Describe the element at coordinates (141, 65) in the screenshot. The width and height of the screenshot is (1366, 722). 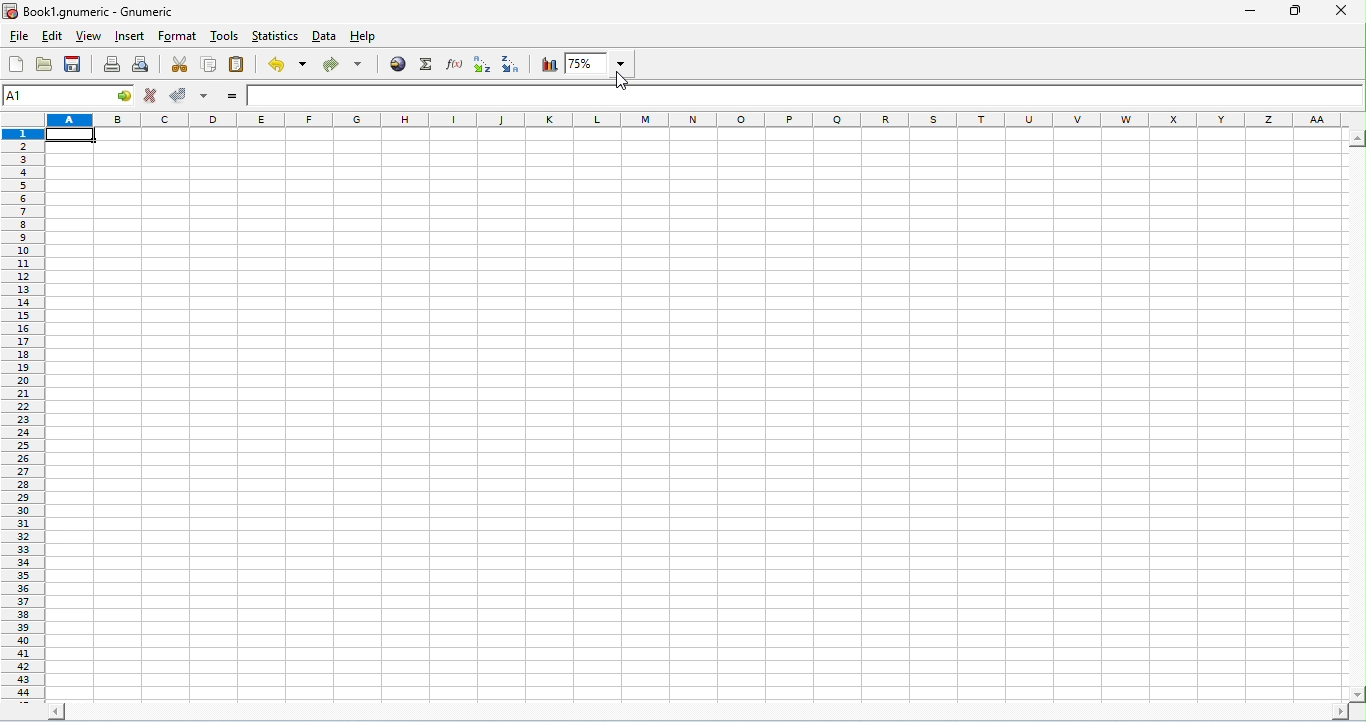
I see `print preview` at that location.